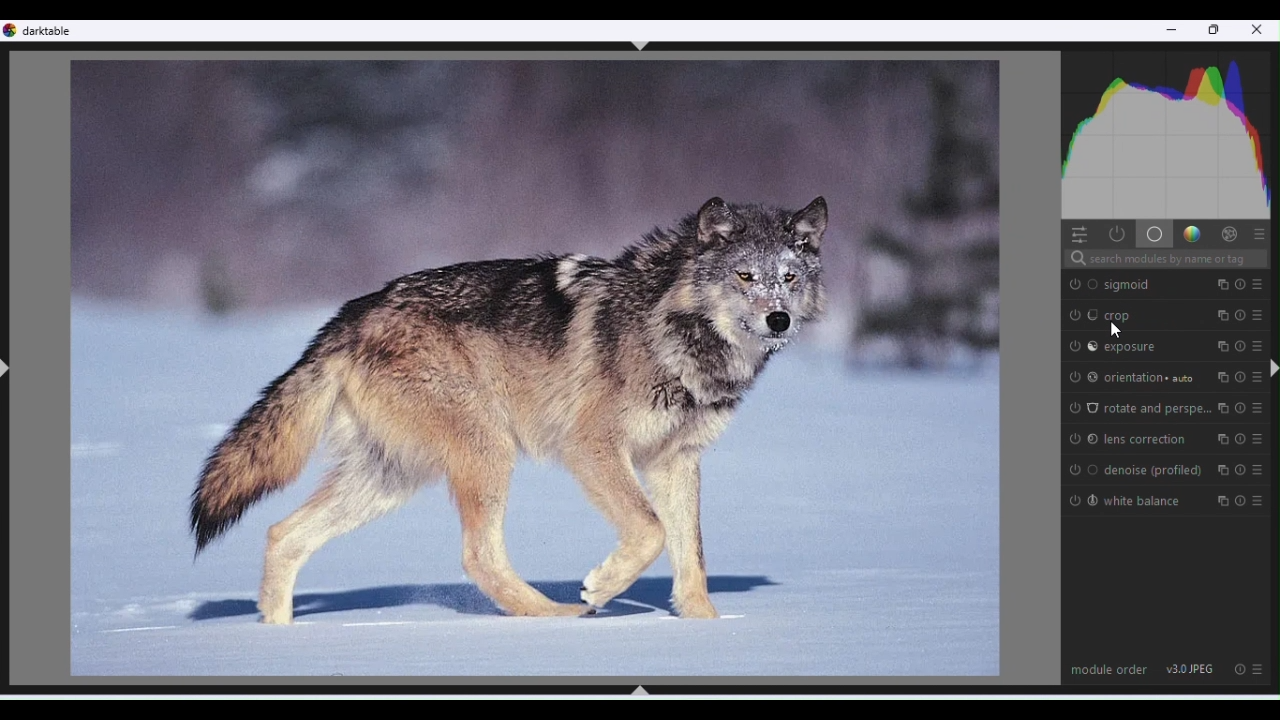  I want to click on White balance, so click(1171, 500).